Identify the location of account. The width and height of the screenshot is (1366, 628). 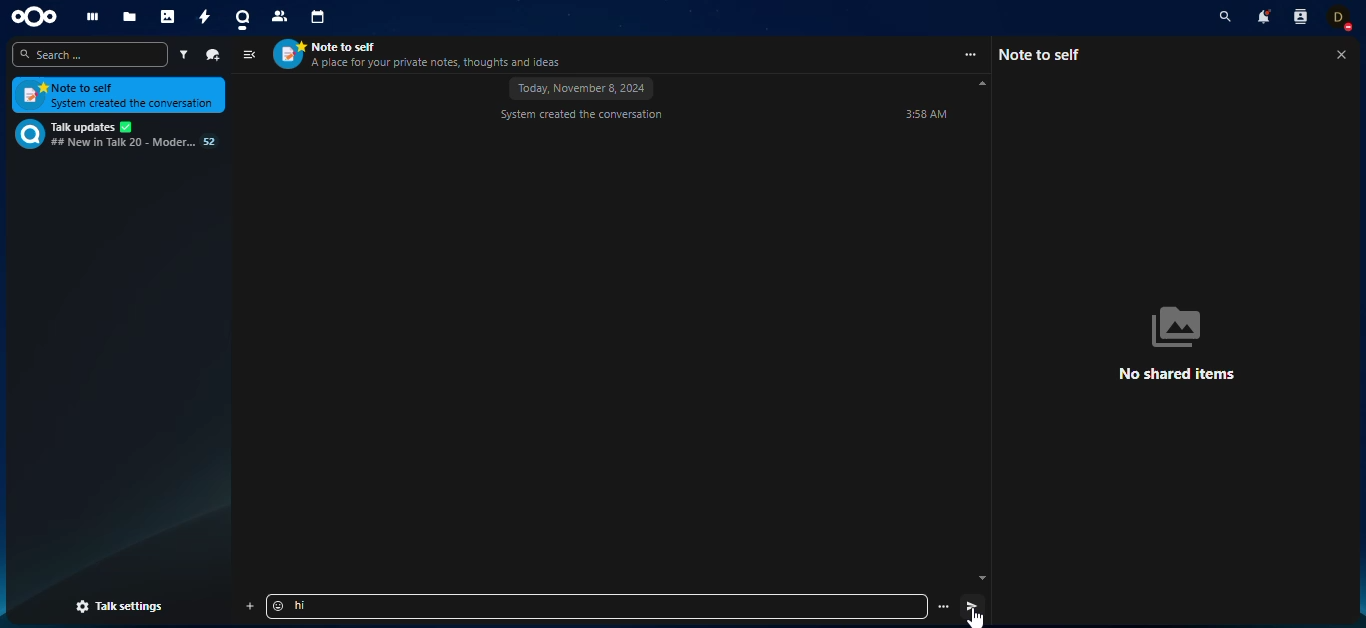
(1344, 20).